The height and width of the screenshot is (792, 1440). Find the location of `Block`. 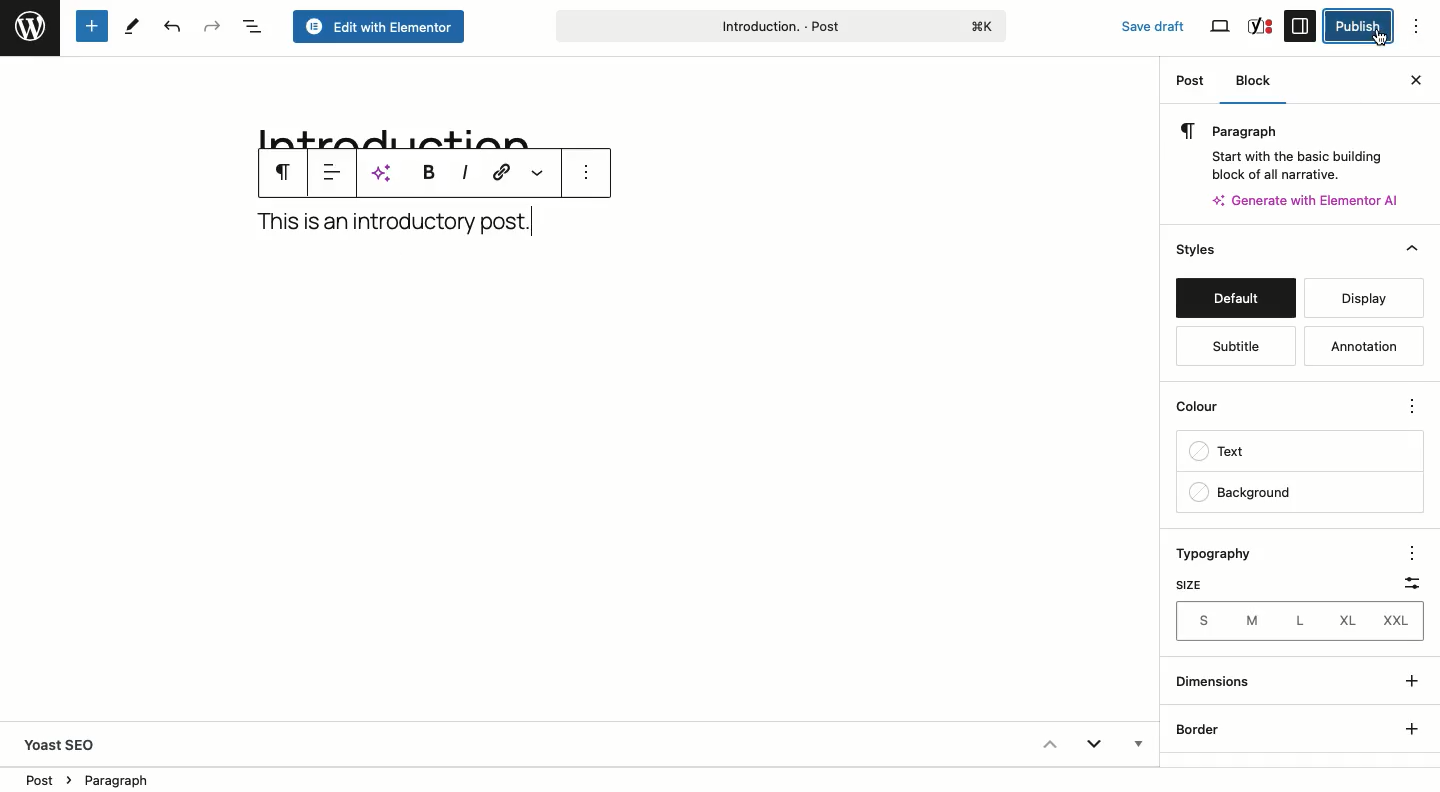

Block is located at coordinates (1258, 83).